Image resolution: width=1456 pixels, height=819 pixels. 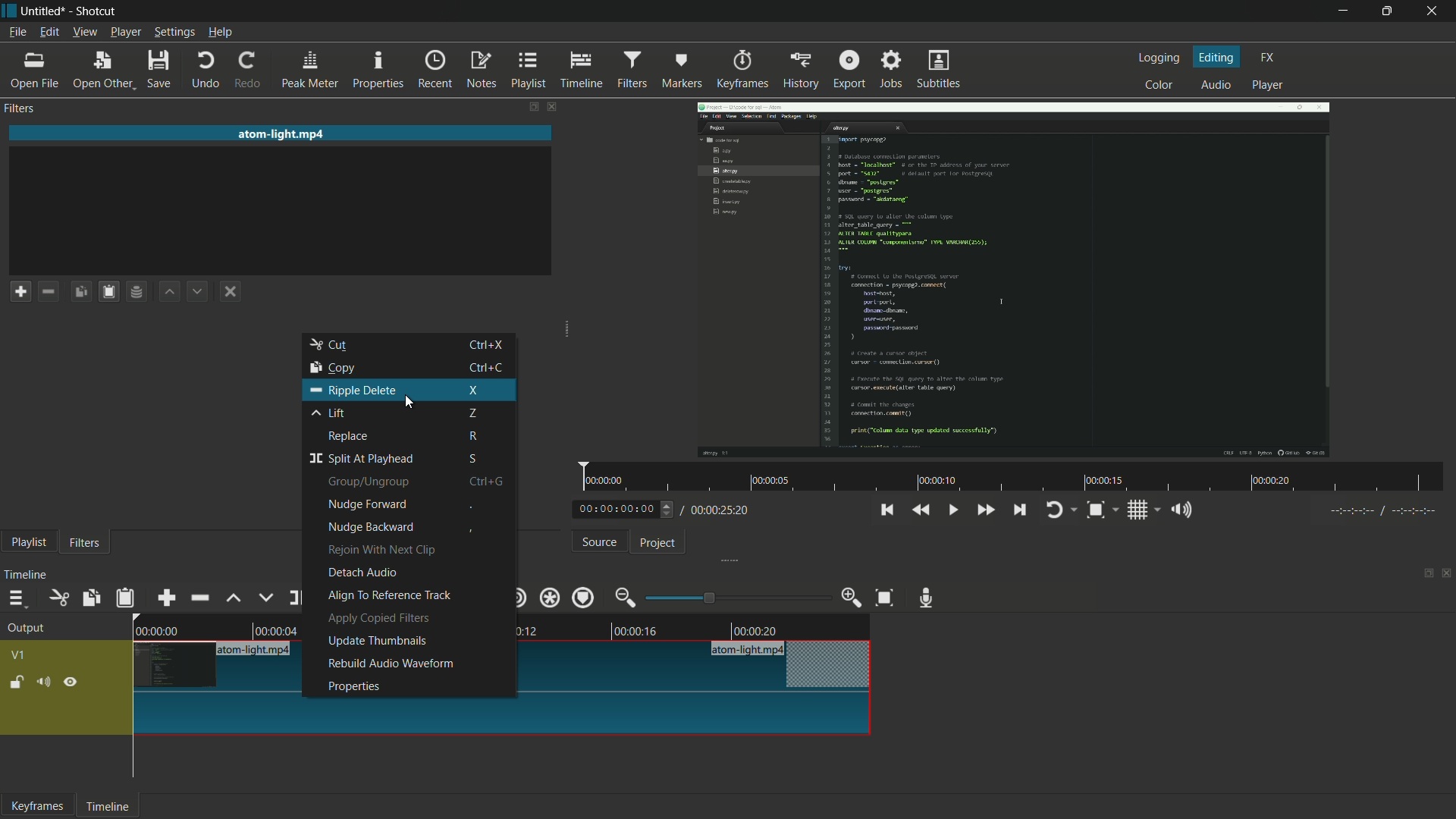 I want to click on filters, so click(x=85, y=544).